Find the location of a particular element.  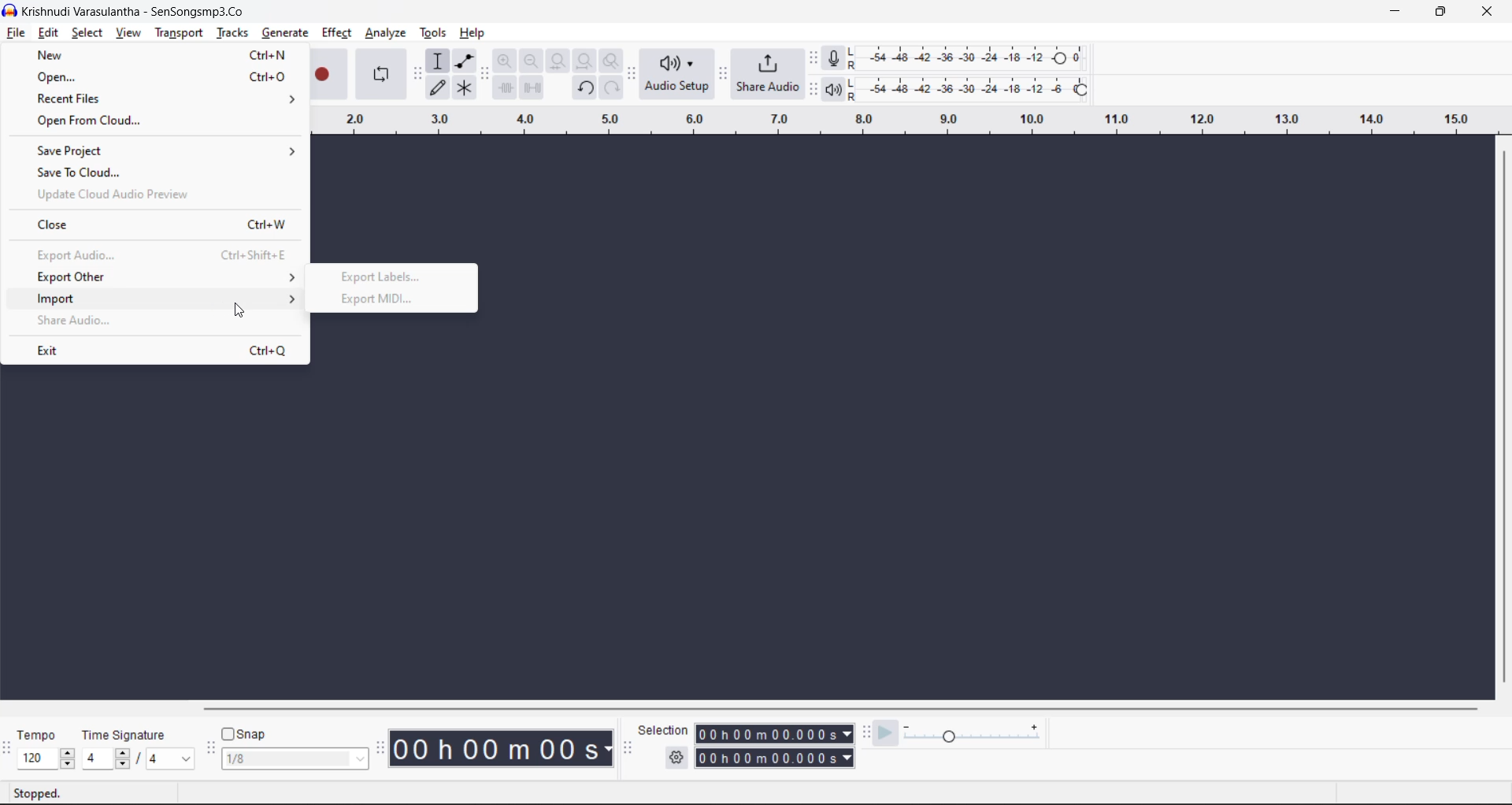

tools is located at coordinates (435, 33).